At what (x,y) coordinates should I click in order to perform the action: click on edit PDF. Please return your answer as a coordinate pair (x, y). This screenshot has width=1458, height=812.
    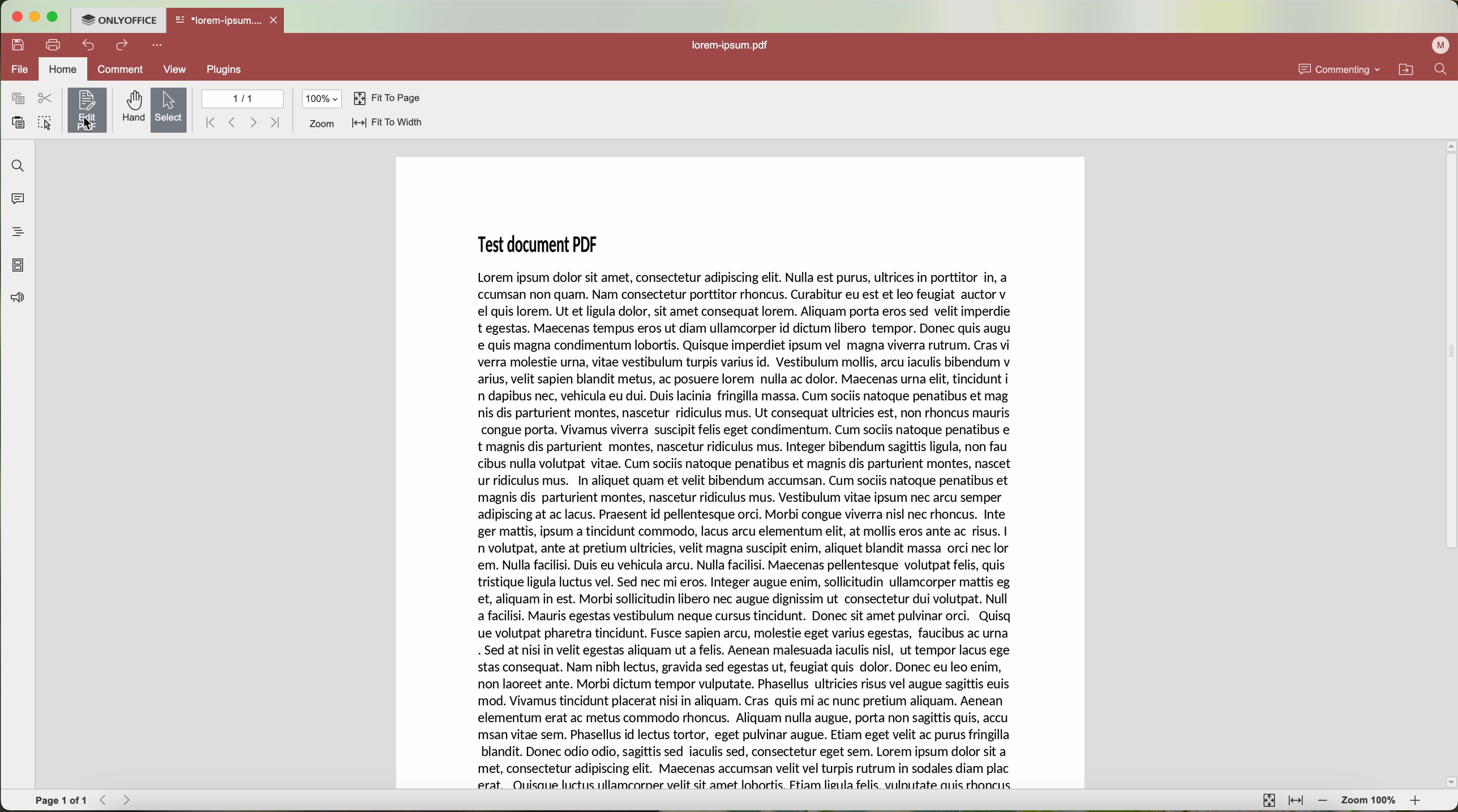
    Looking at the image, I should click on (87, 110).